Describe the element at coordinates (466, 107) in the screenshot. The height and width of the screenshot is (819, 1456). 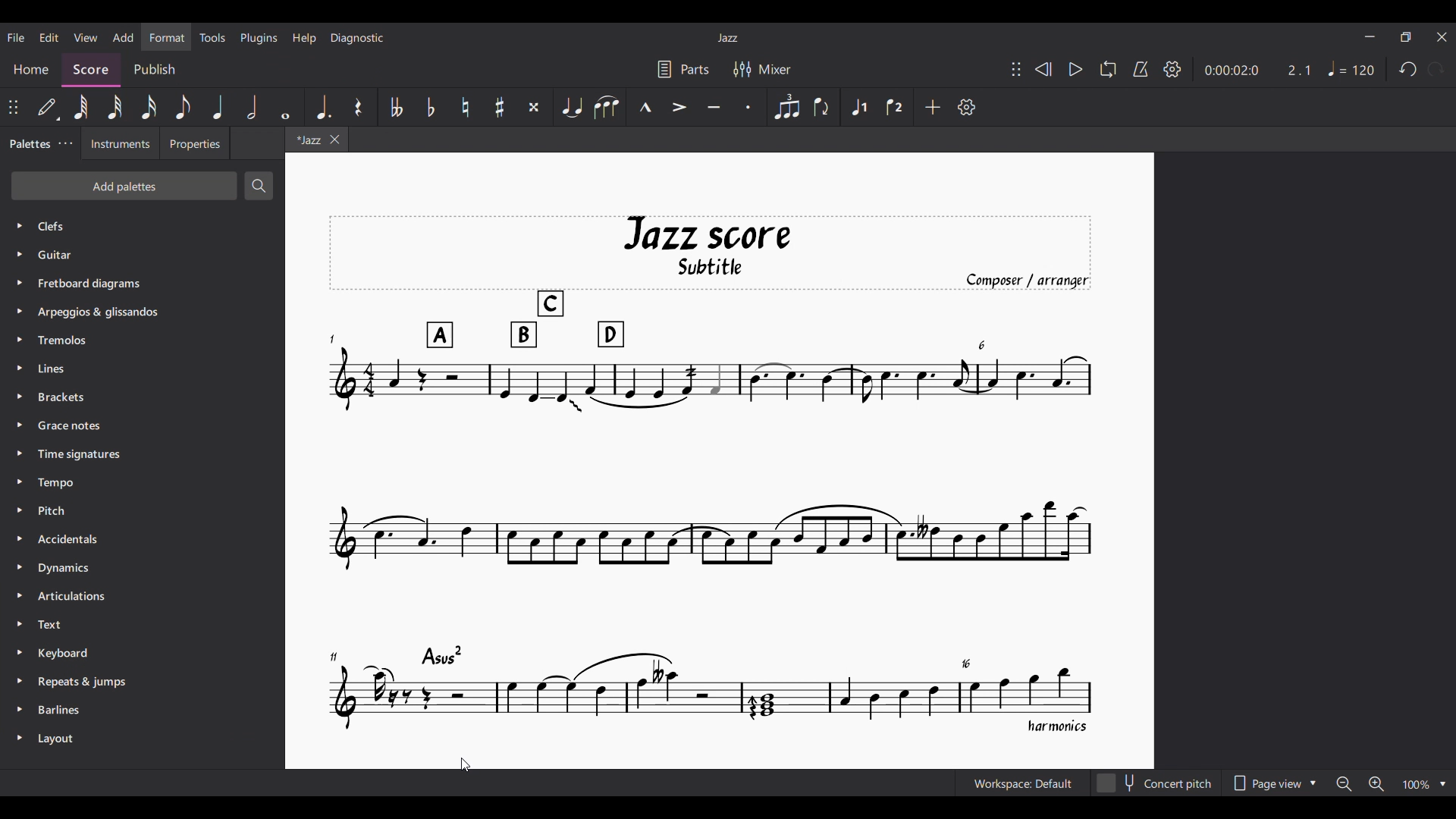
I see `Toggle natural` at that location.